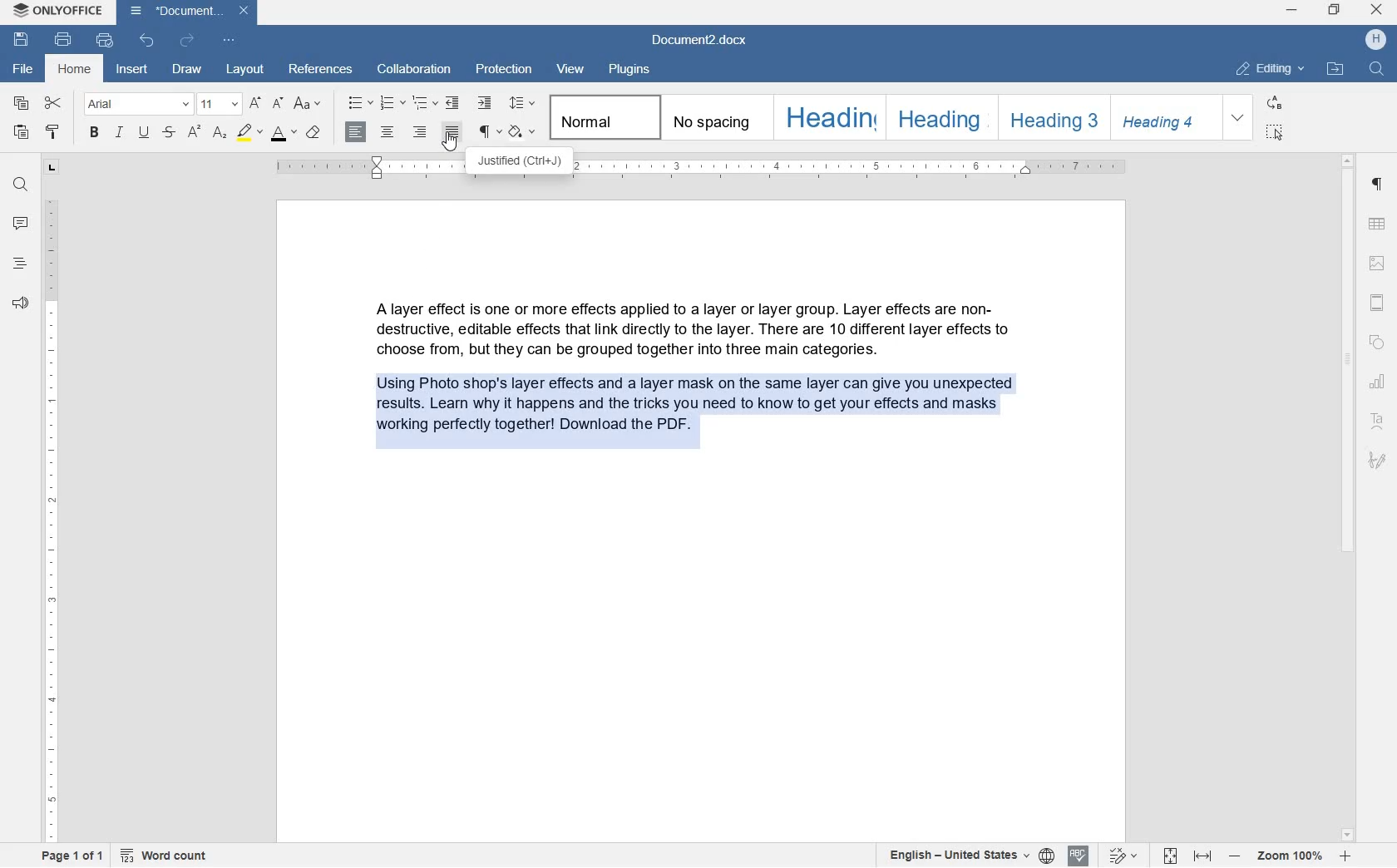  Describe the element at coordinates (165, 856) in the screenshot. I see `WORD COUNT` at that location.